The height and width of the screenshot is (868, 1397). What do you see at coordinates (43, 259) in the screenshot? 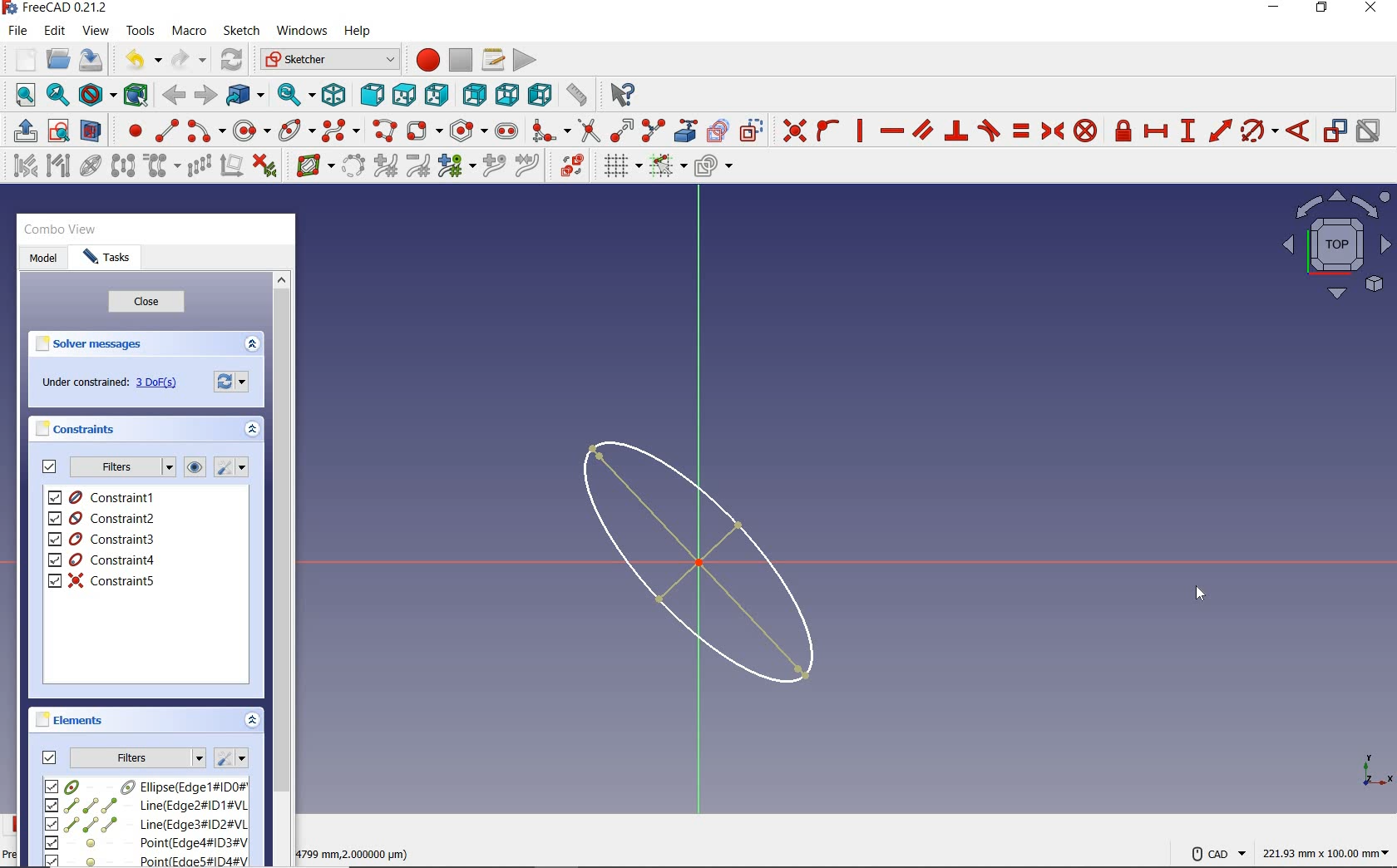
I see `model` at bounding box center [43, 259].